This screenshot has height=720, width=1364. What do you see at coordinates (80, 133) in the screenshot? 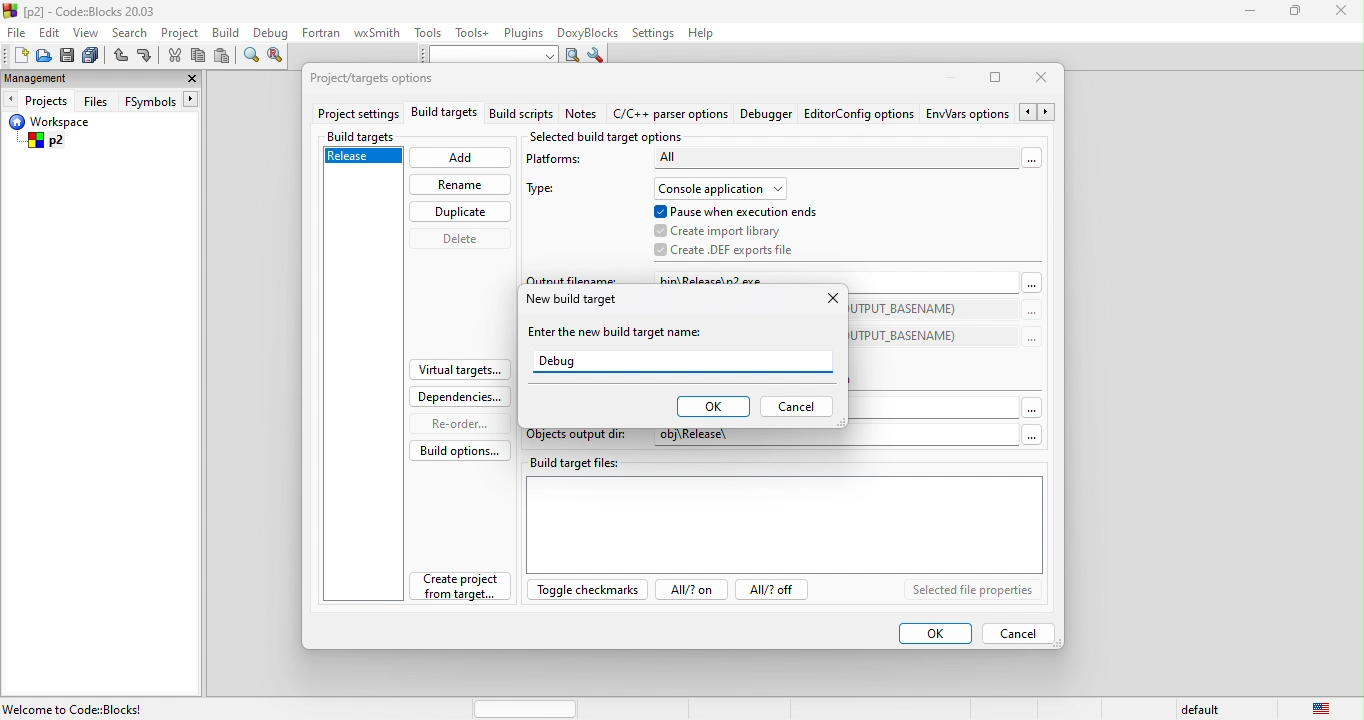
I see `workspace p2` at bounding box center [80, 133].